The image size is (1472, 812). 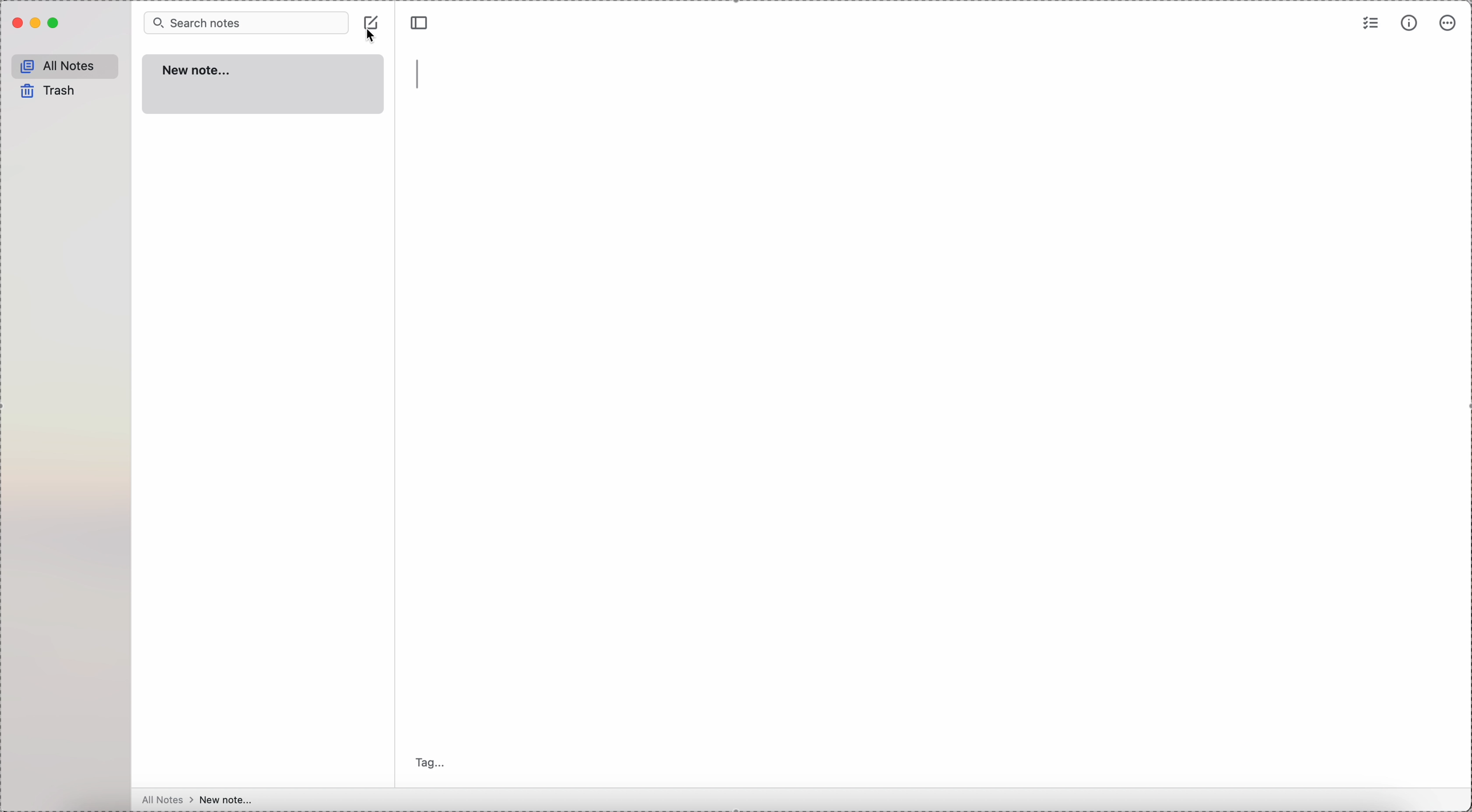 I want to click on minimize, so click(x=36, y=25).